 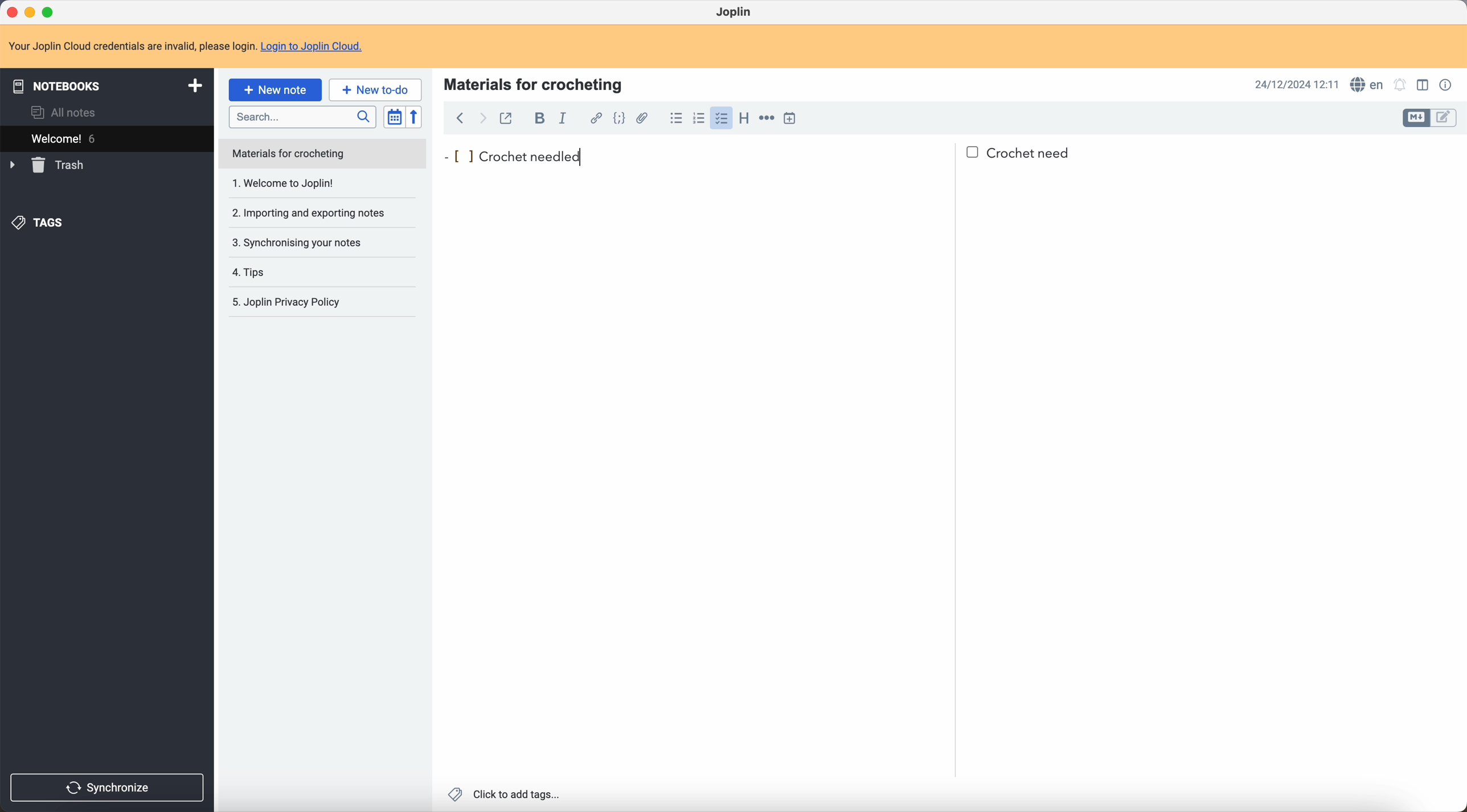 What do you see at coordinates (315, 242) in the screenshot?
I see `synchronising your notes` at bounding box center [315, 242].